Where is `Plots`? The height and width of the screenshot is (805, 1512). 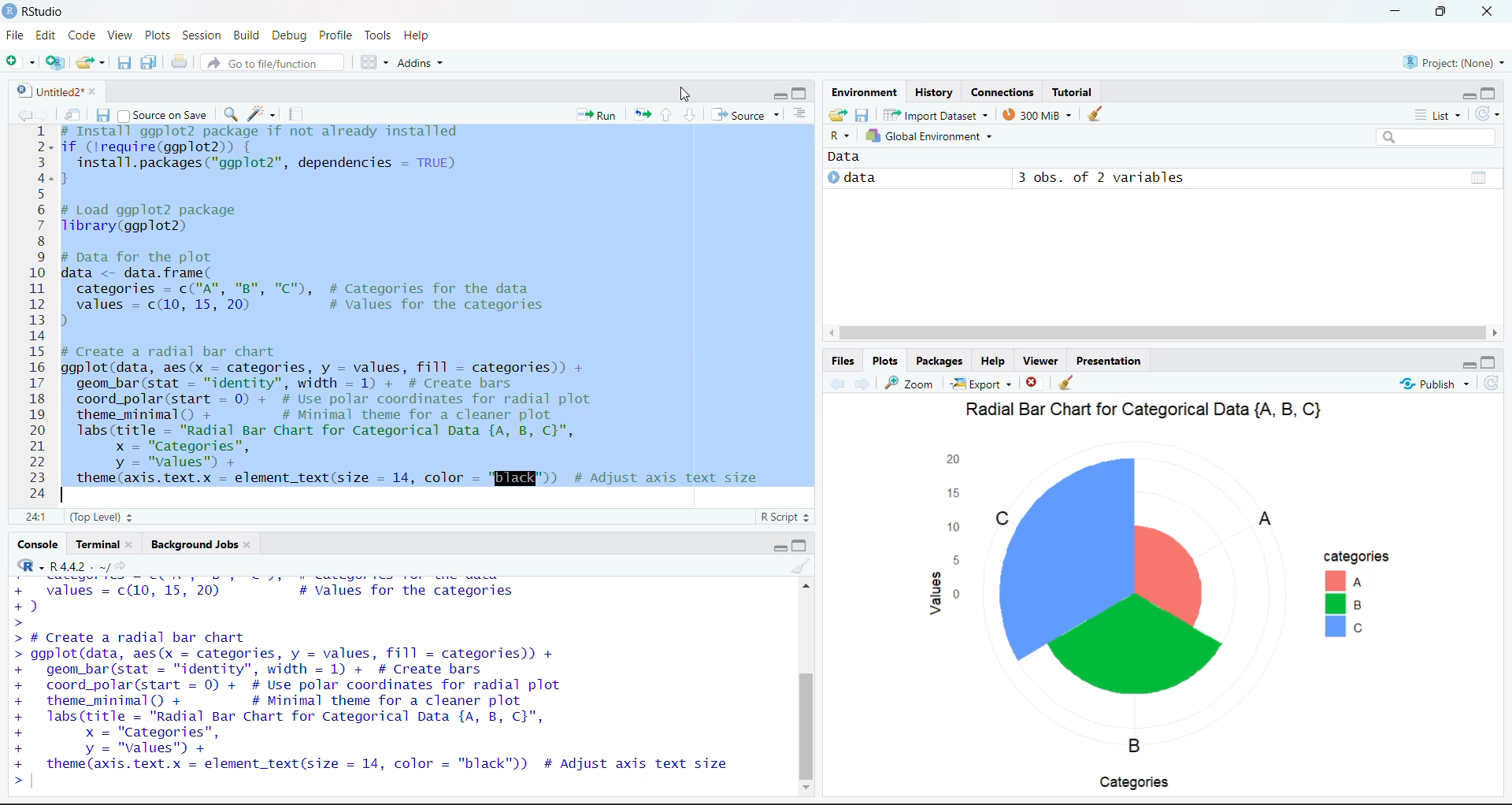 Plots is located at coordinates (157, 35).